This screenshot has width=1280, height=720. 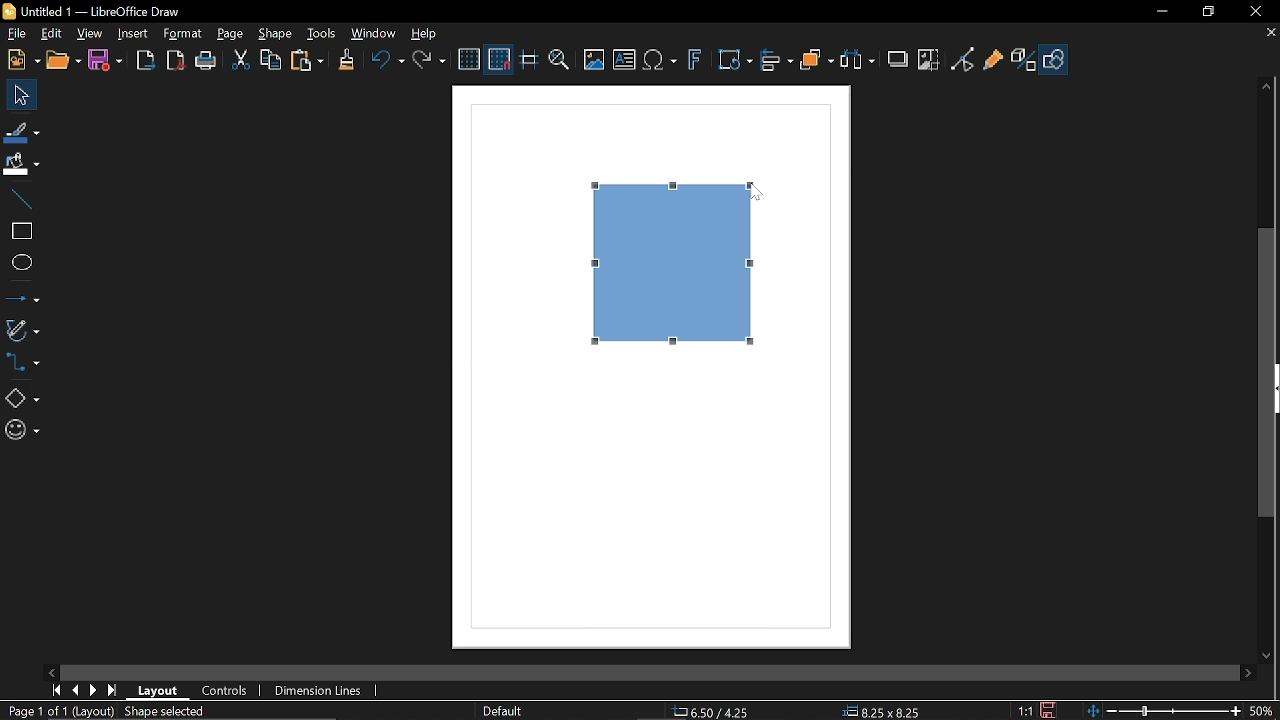 What do you see at coordinates (20, 263) in the screenshot?
I see `Ellipse ` at bounding box center [20, 263].